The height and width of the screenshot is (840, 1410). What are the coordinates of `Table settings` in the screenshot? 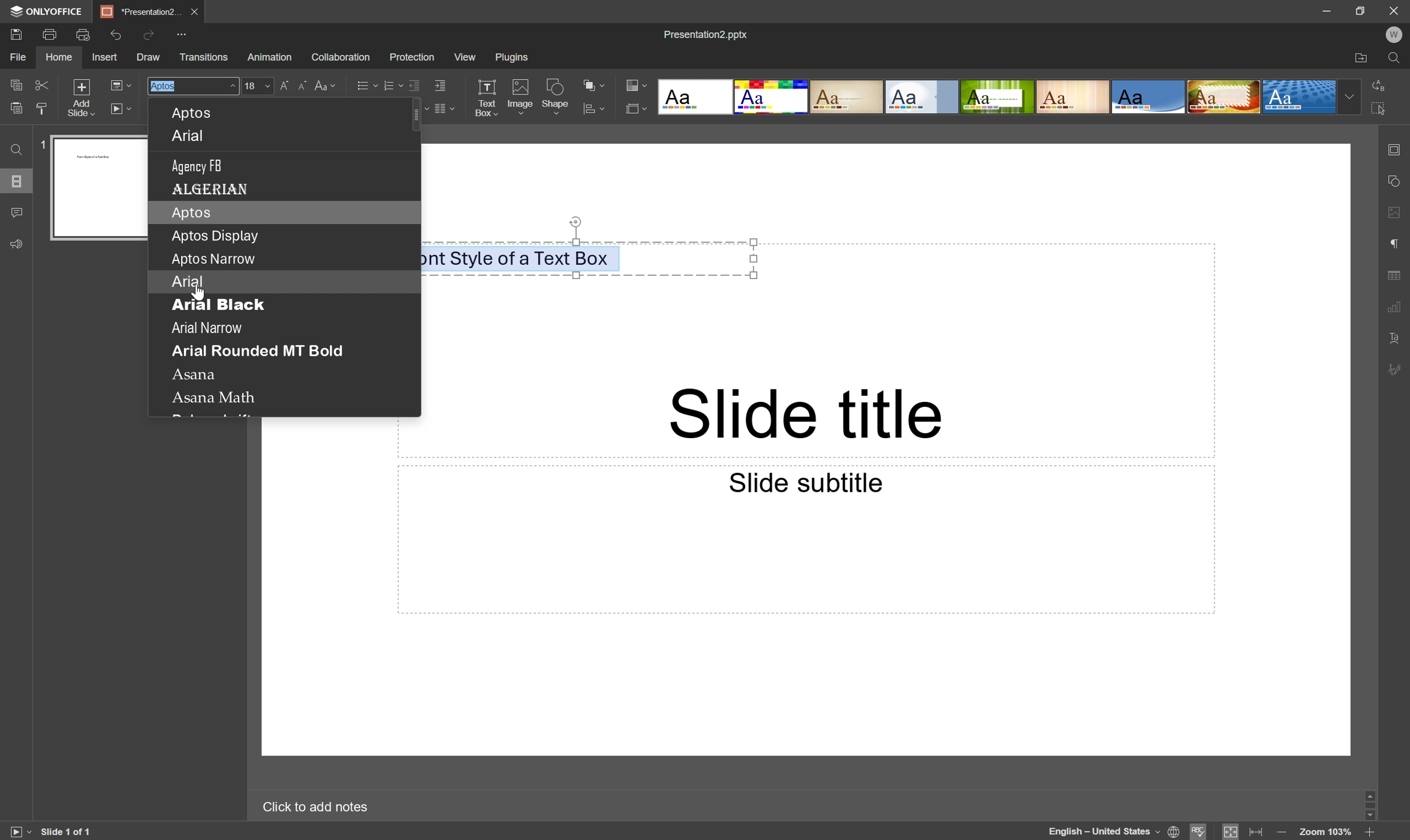 It's located at (1399, 274).